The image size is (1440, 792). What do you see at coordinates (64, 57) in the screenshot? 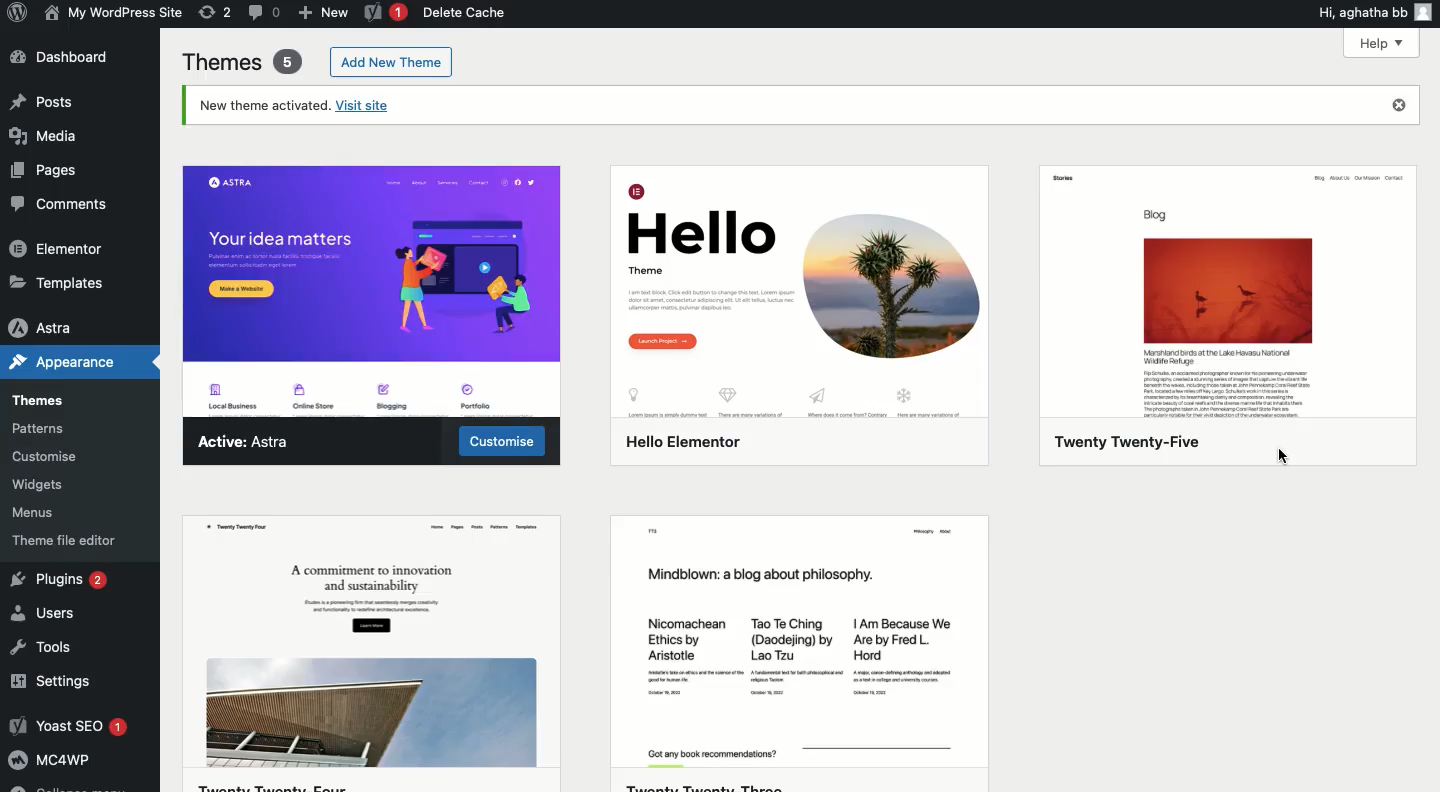
I see `Dashboard` at bounding box center [64, 57].